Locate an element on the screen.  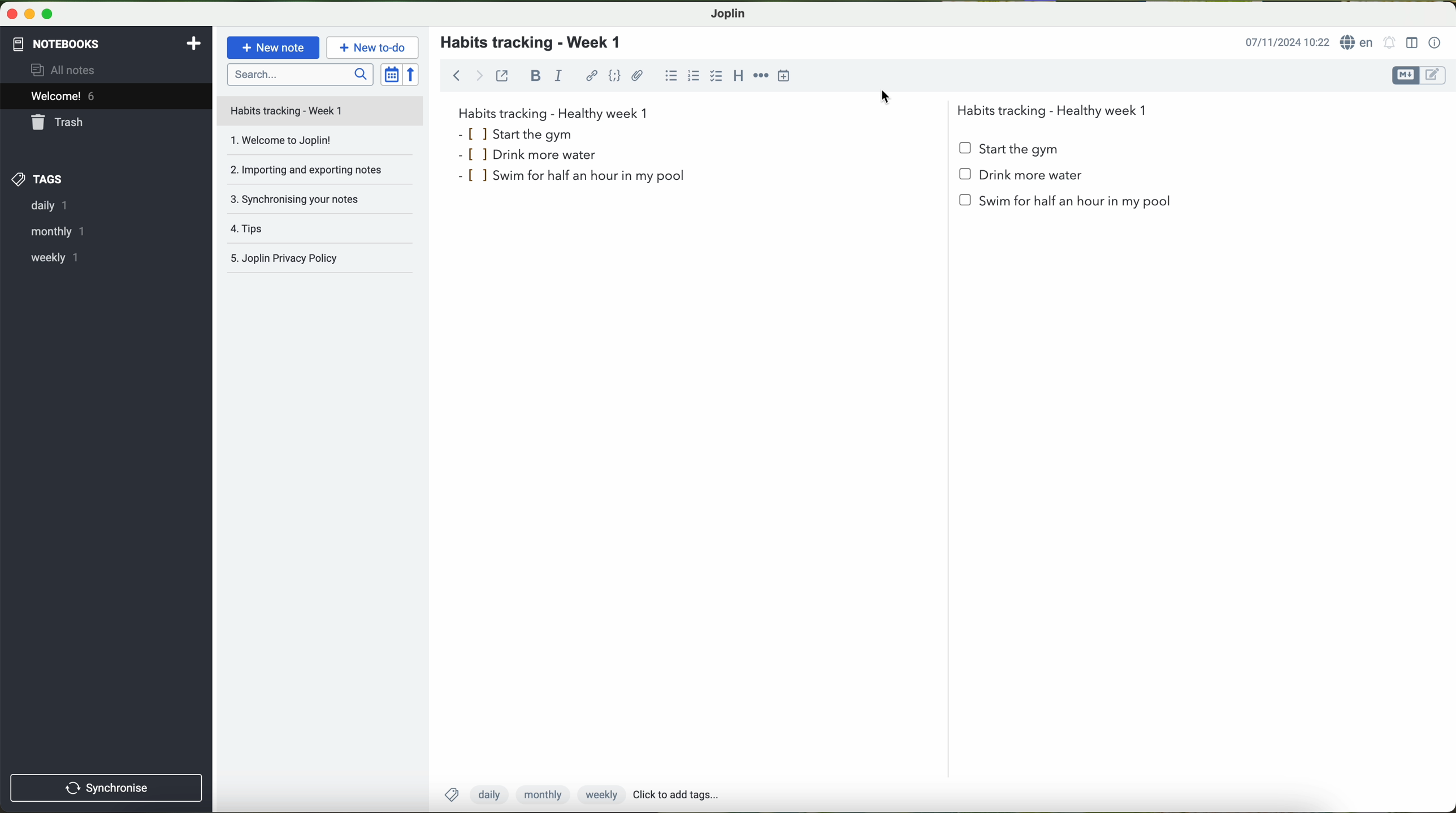
insert time is located at coordinates (784, 76).